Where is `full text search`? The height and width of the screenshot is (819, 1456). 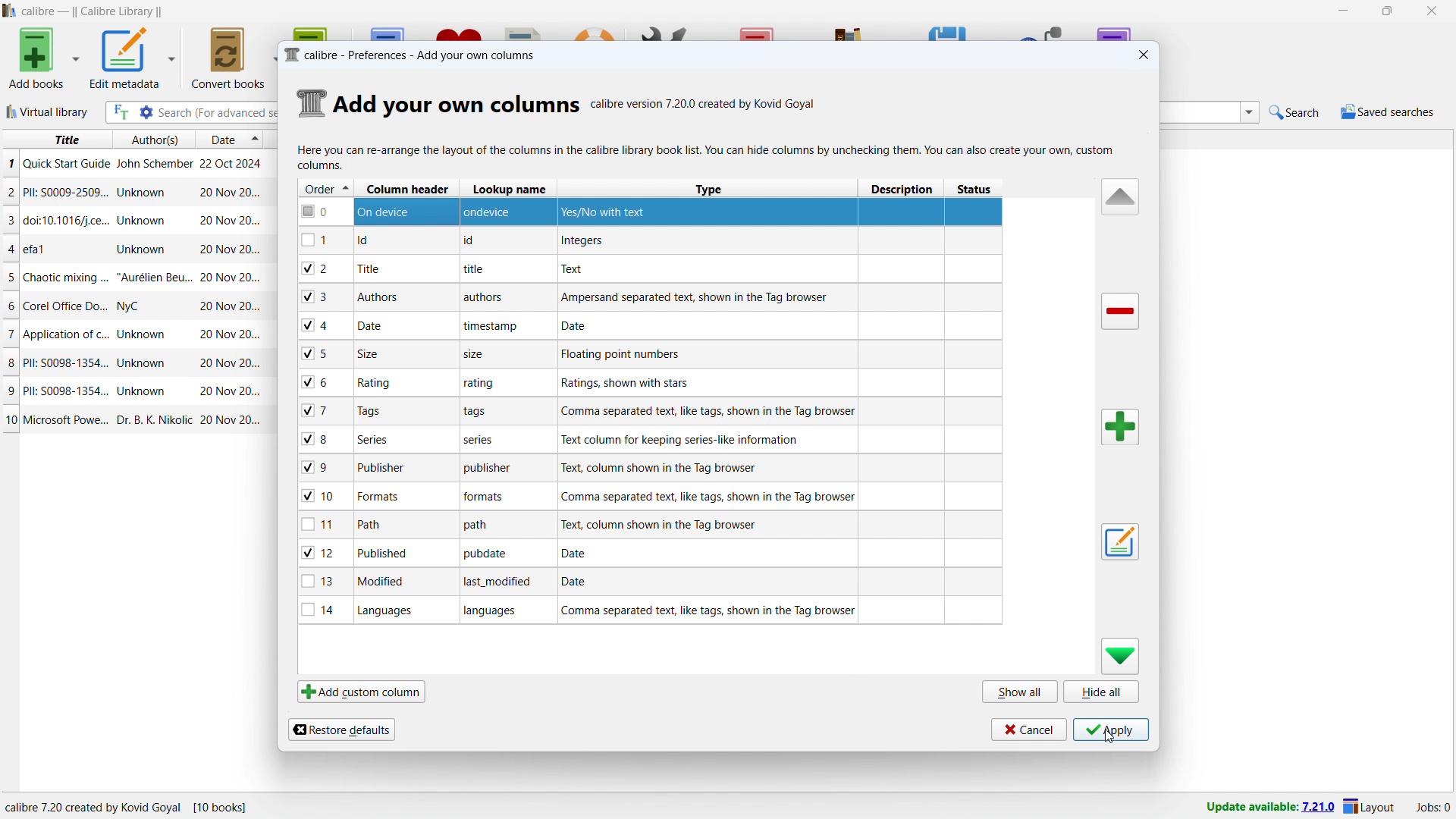
full text search is located at coordinates (121, 112).